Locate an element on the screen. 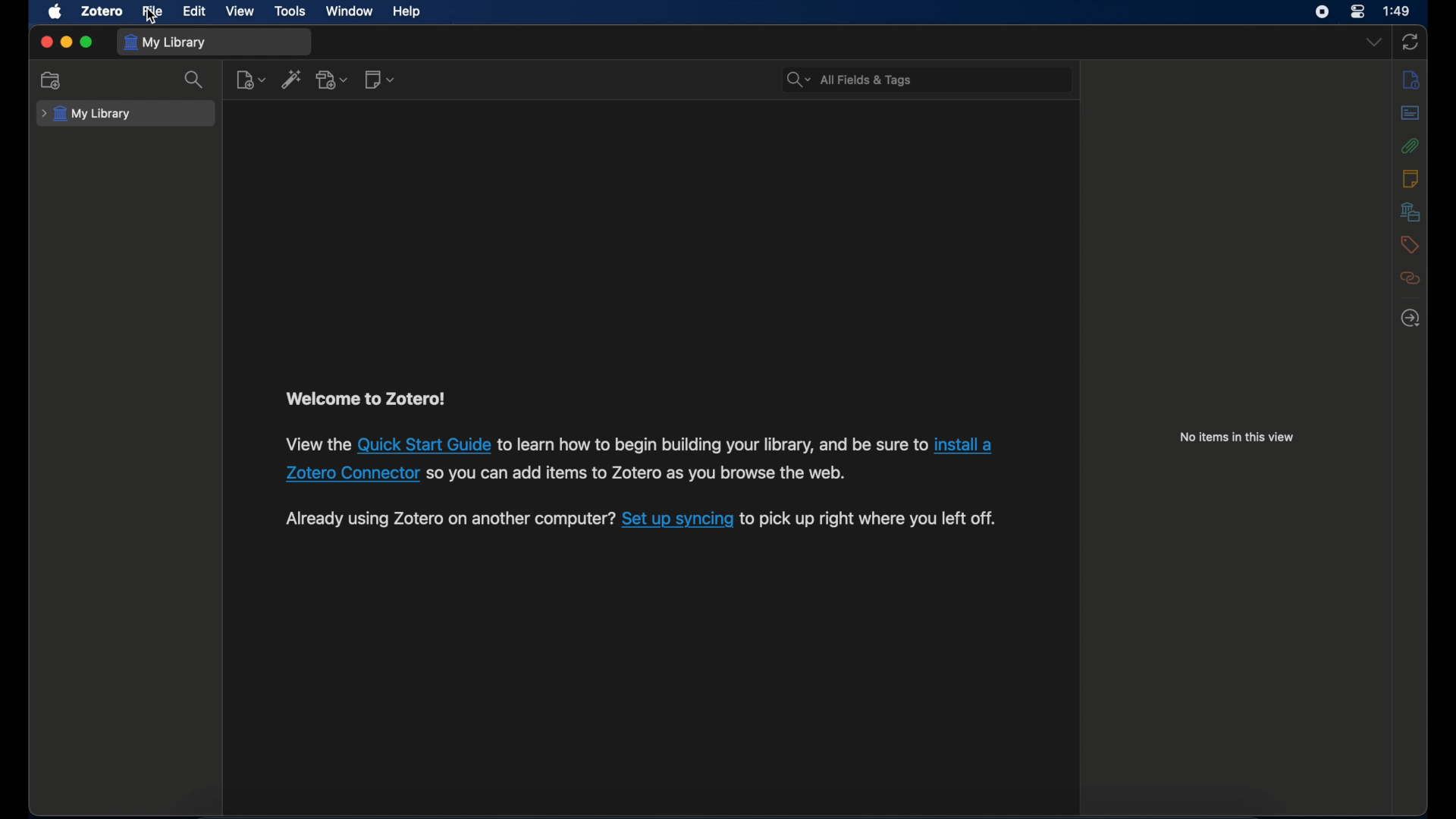 This screenshot has height=819, width=1456. zotero is located at coordinates (101, 11).